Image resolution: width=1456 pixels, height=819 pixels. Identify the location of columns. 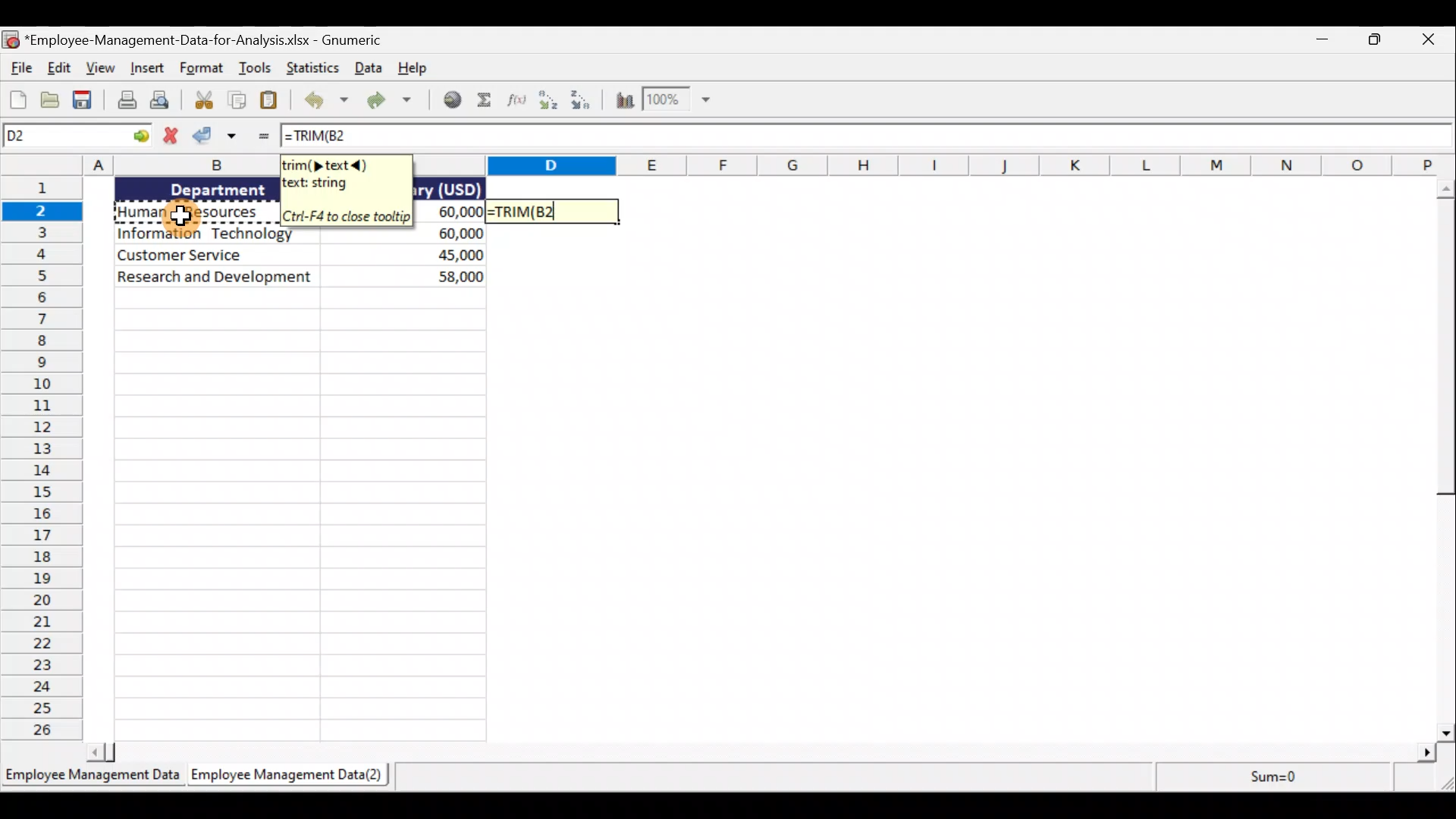
(138, 165).